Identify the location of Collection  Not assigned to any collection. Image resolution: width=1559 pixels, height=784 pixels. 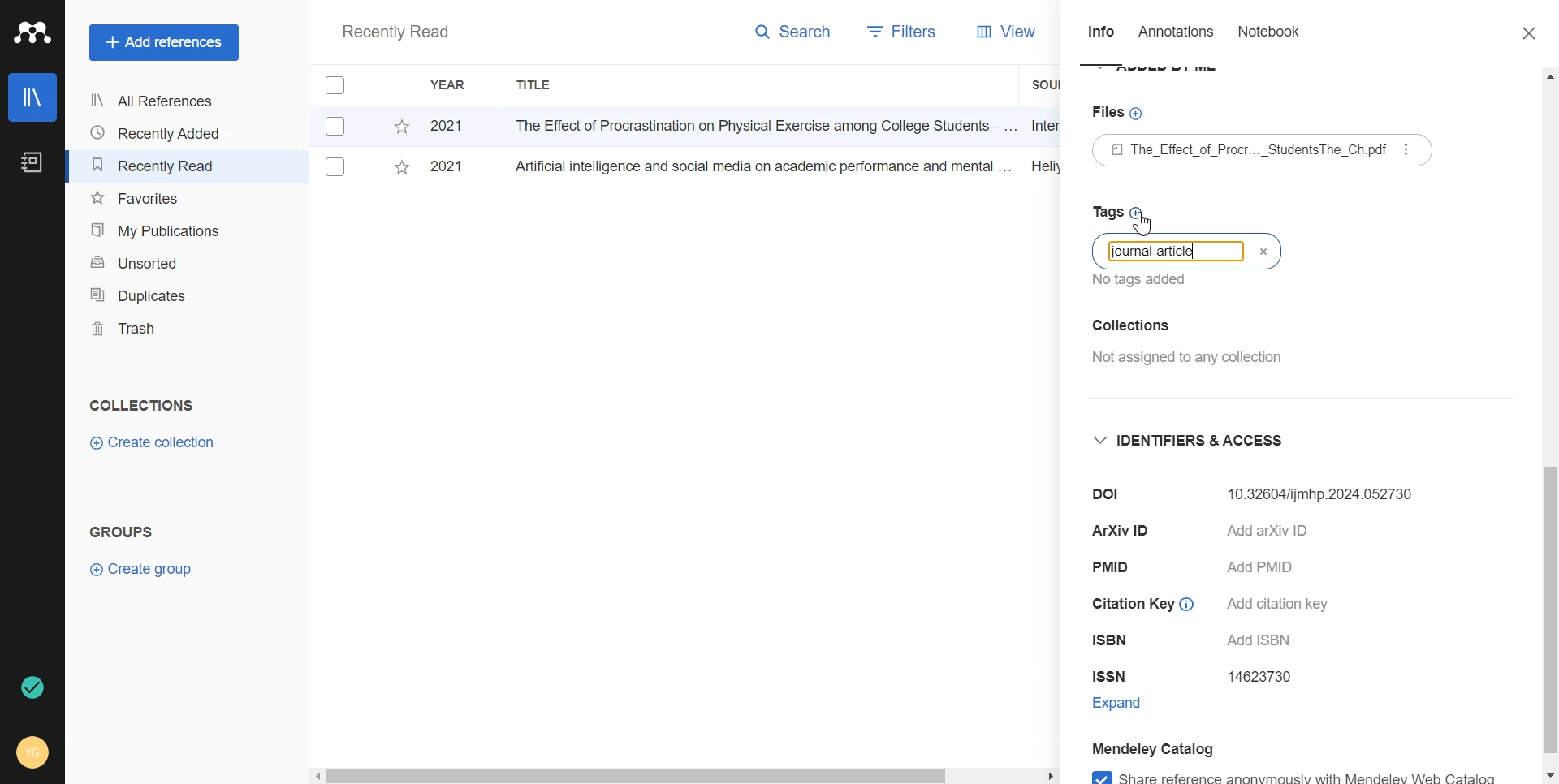
(1184, 338).